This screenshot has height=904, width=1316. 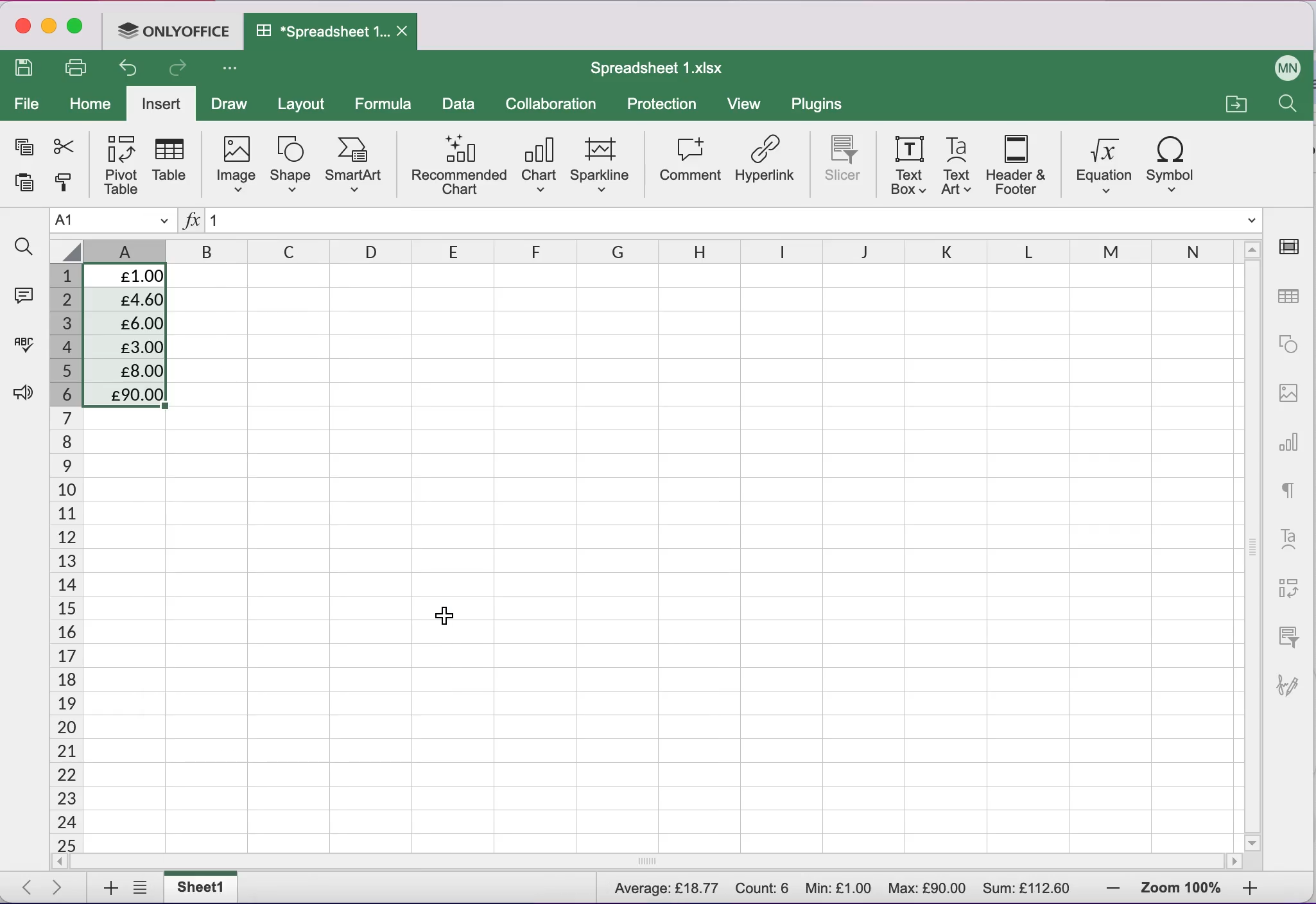 What do you see at coordinates (1251, 557) in the screenshot?
I see `vertical scrollbar` at bounding box center [1251, 557].